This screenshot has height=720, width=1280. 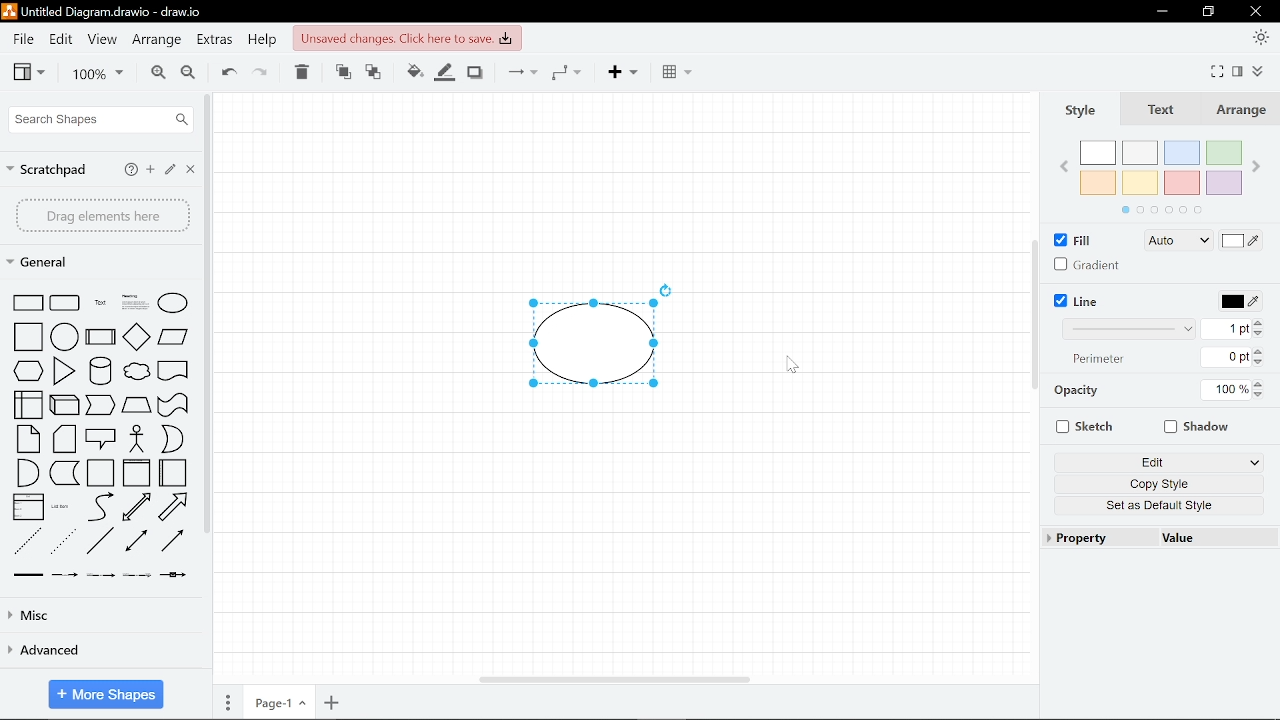 What do you see at coordinates (1103, 362) in the screenshot?
I see `Perimemeter` at bounding box center [1103, 362].